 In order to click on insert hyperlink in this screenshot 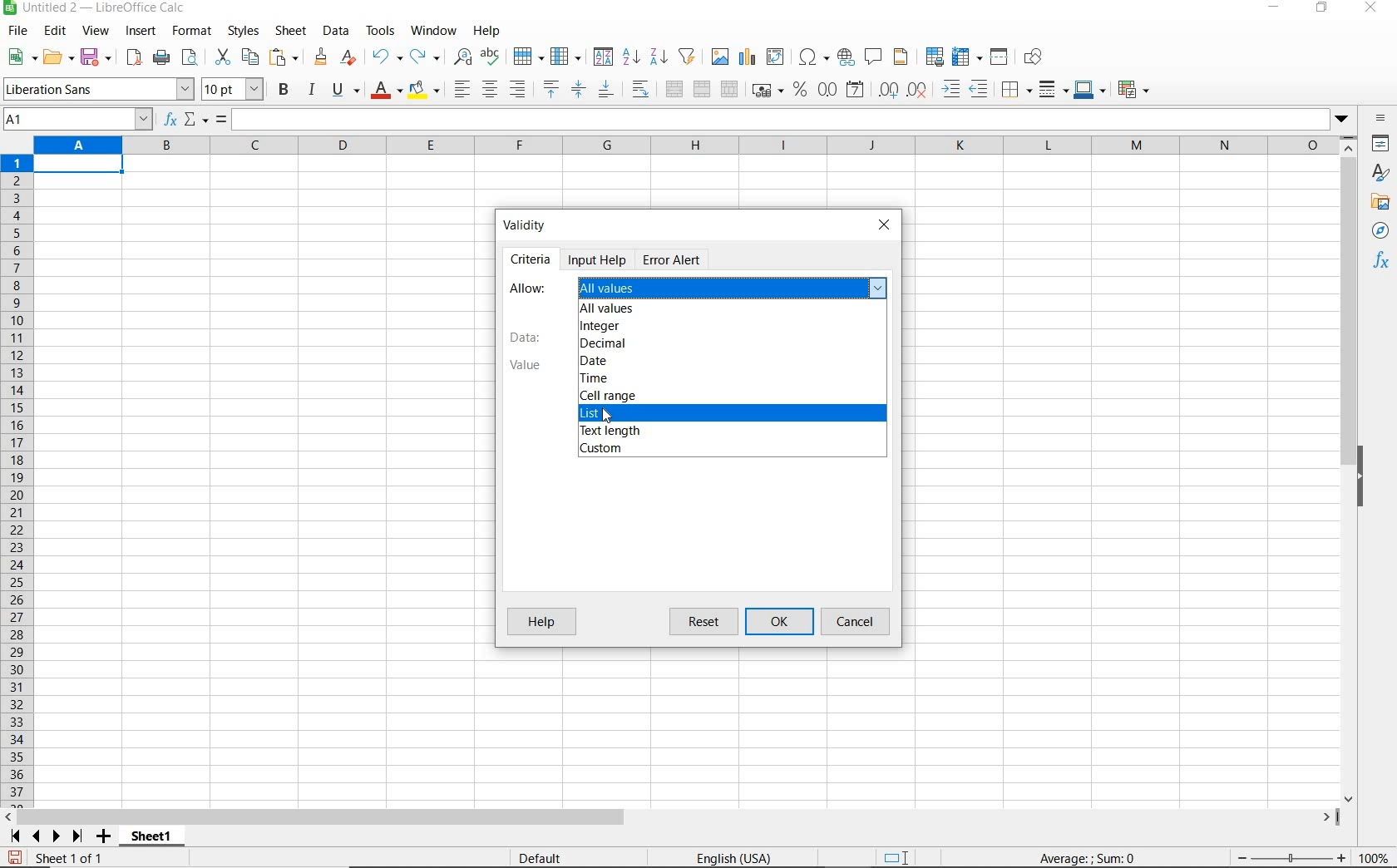, I will do `click(846, 56)`.